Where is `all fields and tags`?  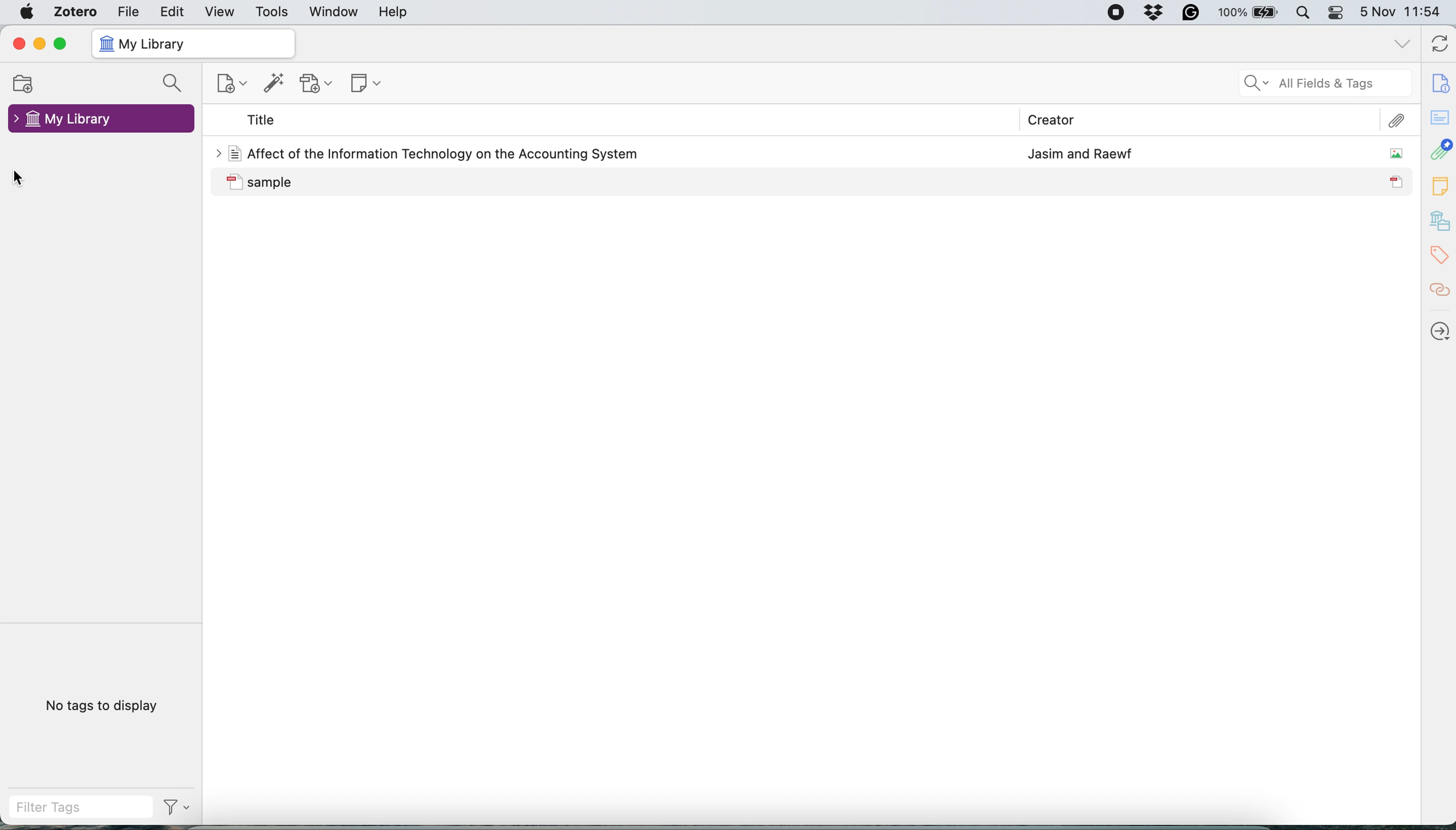
all fields and tags is located at coordinates (1321, 85).